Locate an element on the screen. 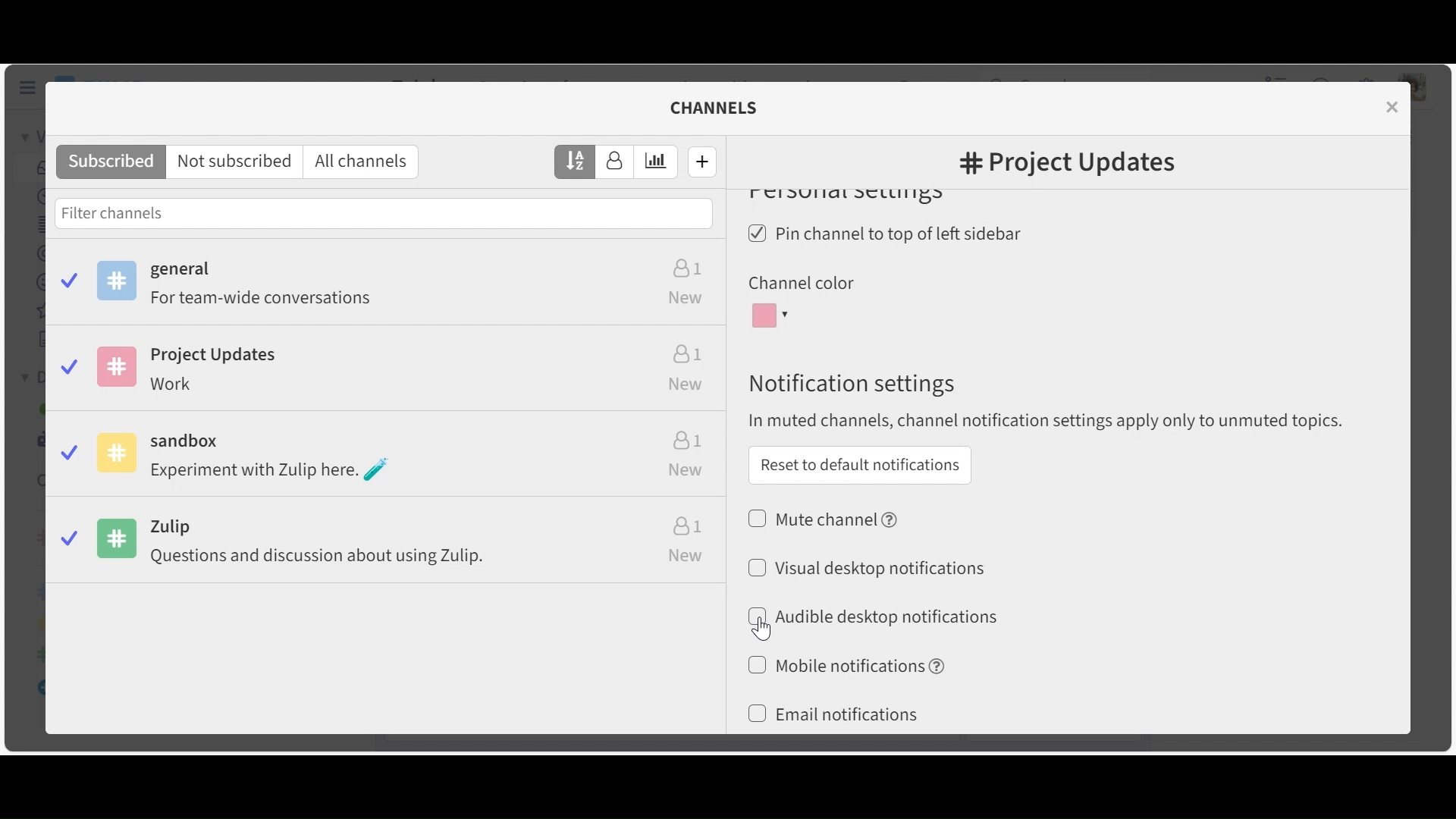 The width and height of the screenshot is (1456, 819). Sort by estimated weekly traffic is located at coordinates (657, 162).